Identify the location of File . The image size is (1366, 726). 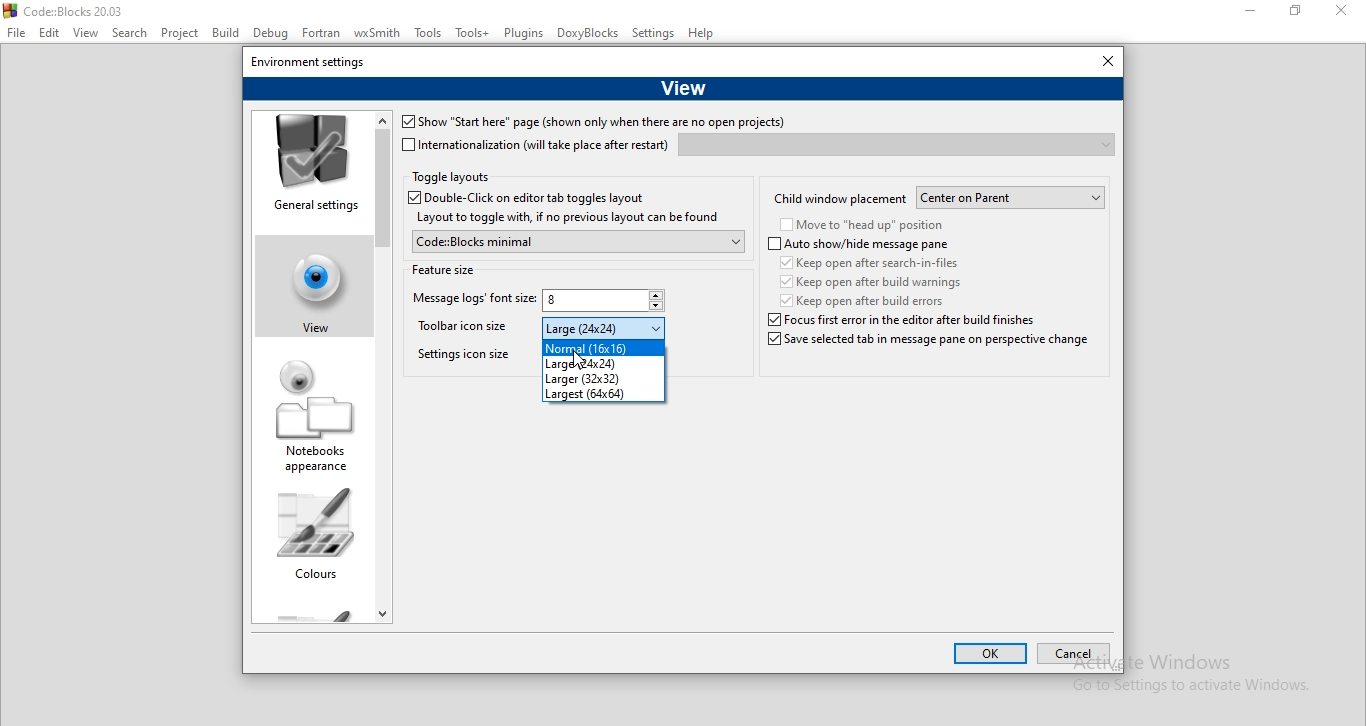
(16, 33).